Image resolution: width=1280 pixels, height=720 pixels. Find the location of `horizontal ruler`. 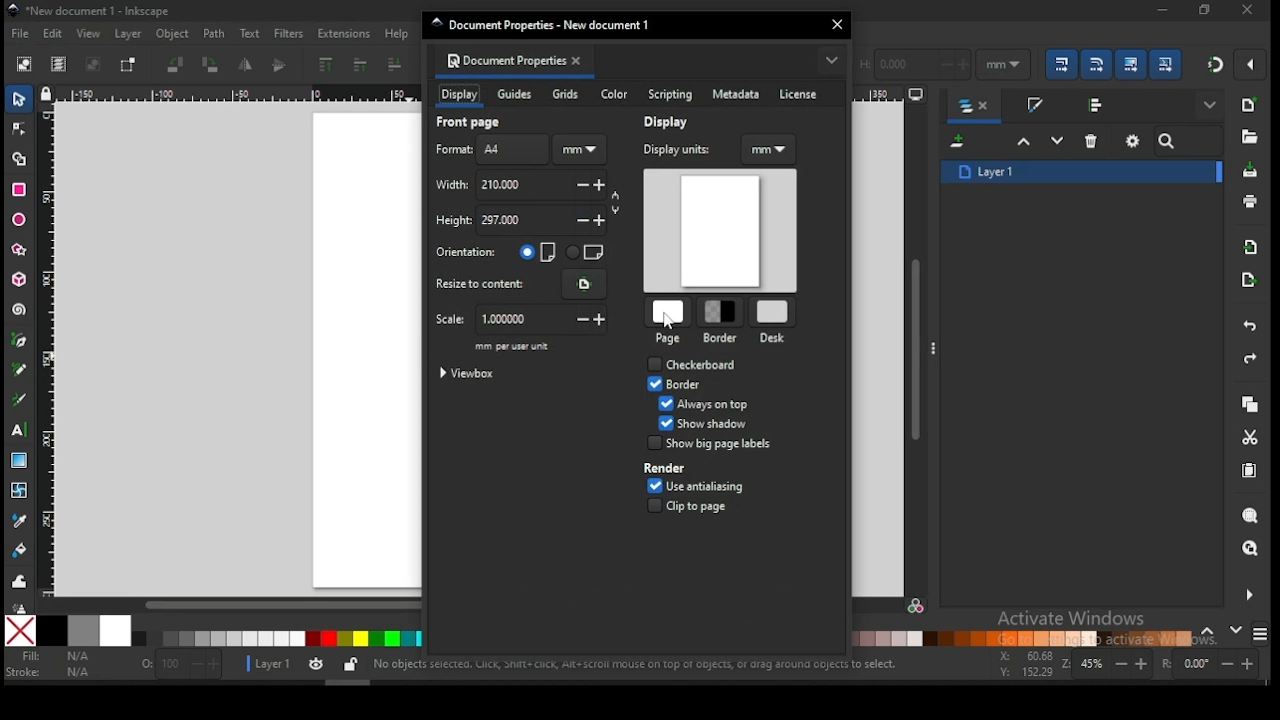

horizontal ruler is located at coordinates (236, 96).